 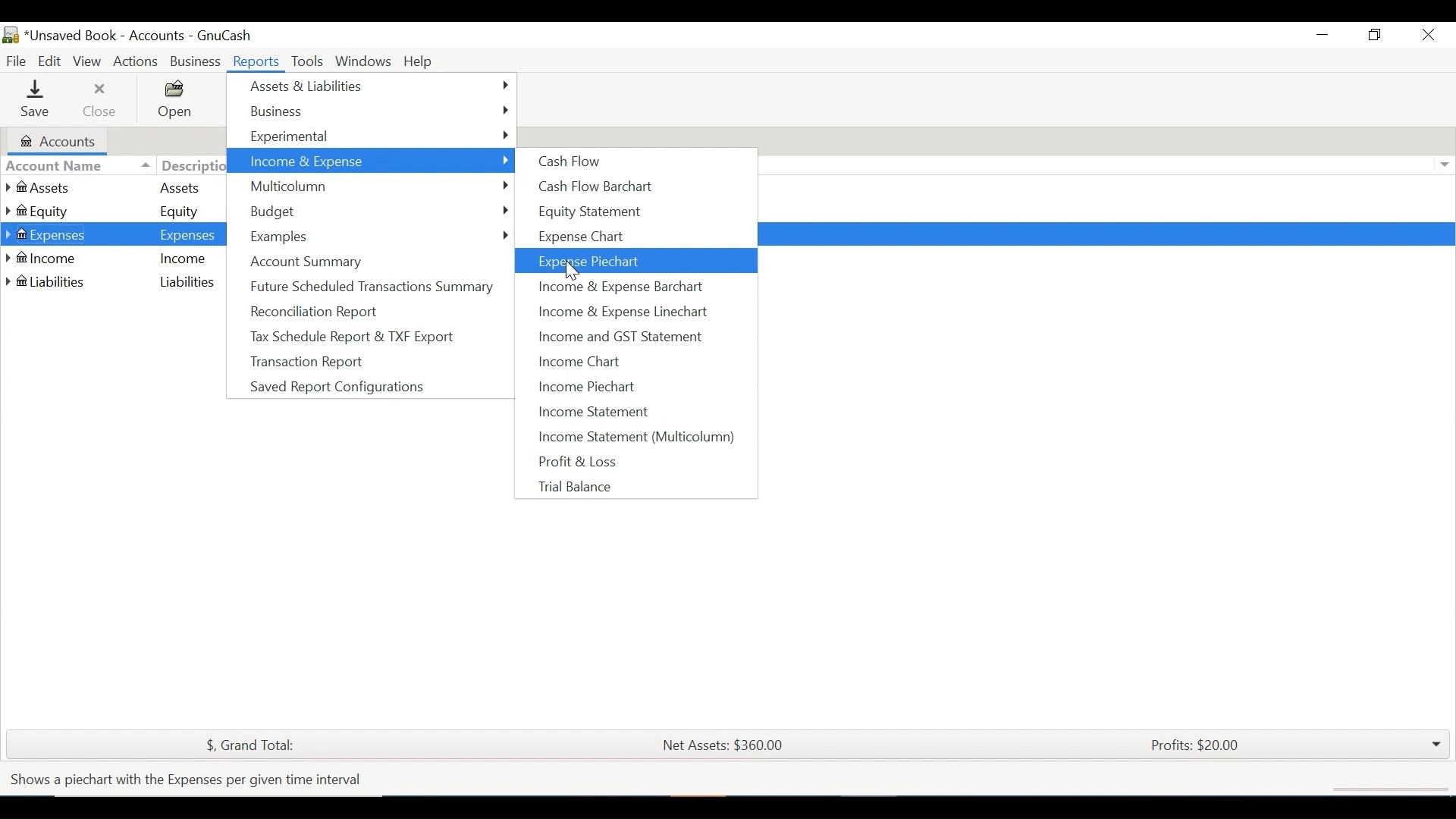 I want to click on Net Assets: $360.00, so click(x=726, y=744).